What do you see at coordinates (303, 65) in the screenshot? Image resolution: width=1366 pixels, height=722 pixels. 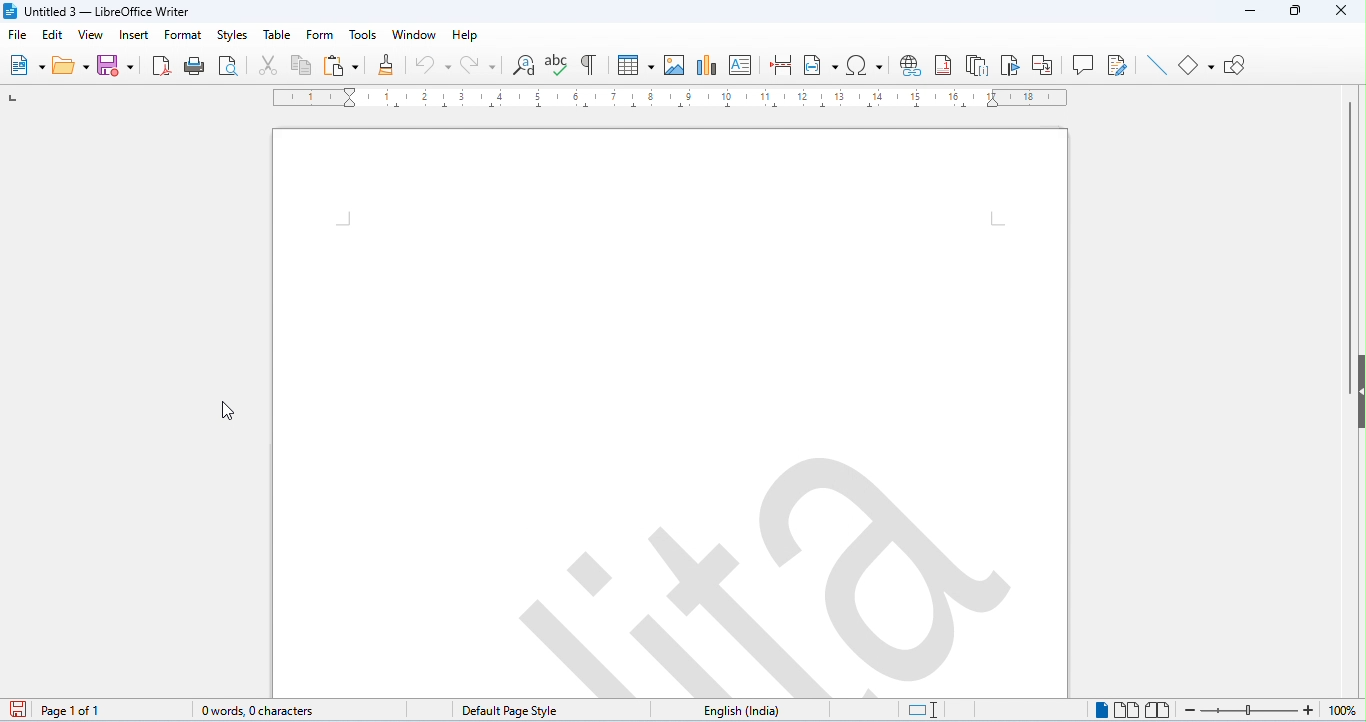 I see `copy` at bounding box center [303, 65].